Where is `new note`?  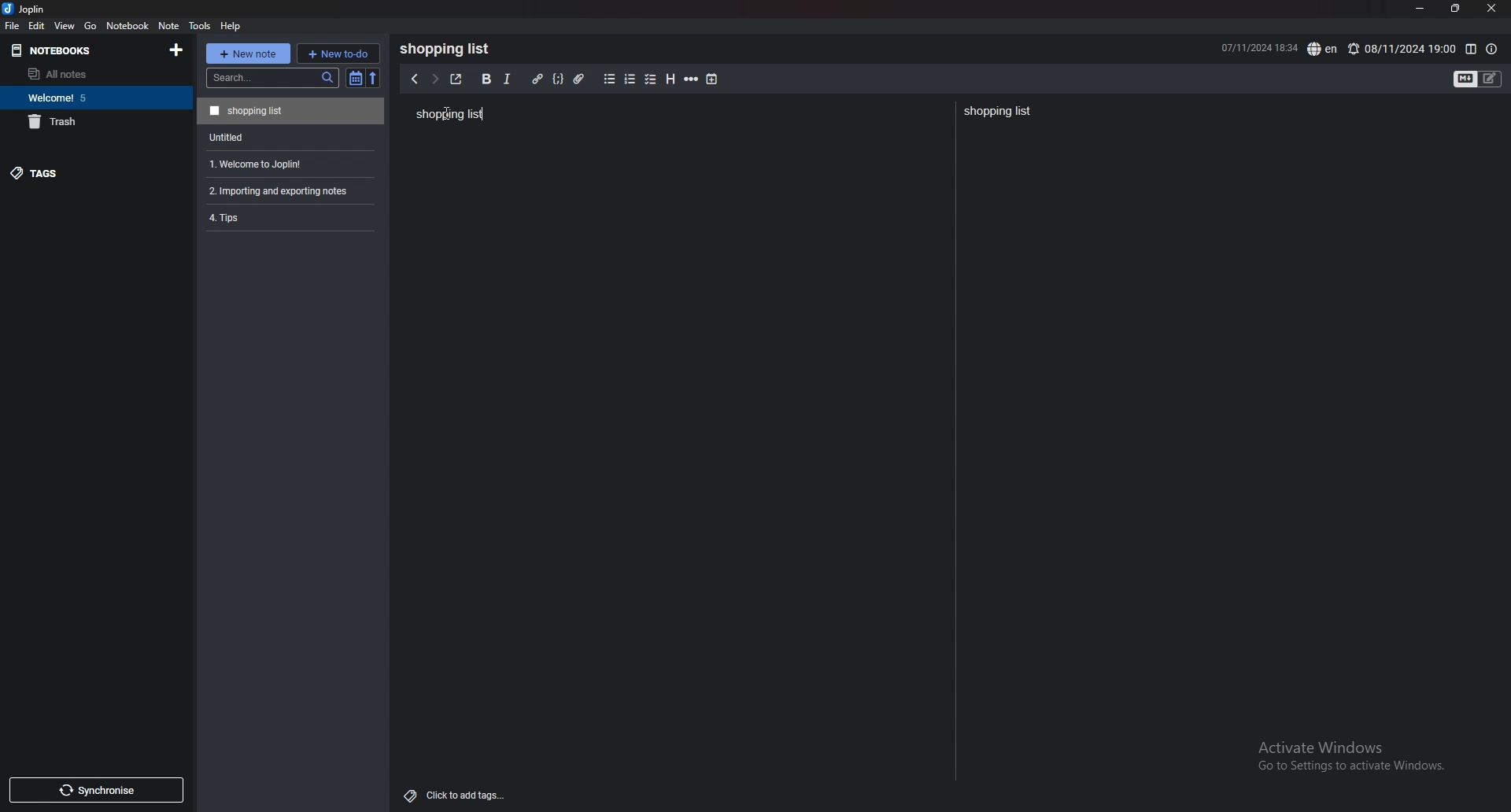
new note is located at coordinates (247, 54).